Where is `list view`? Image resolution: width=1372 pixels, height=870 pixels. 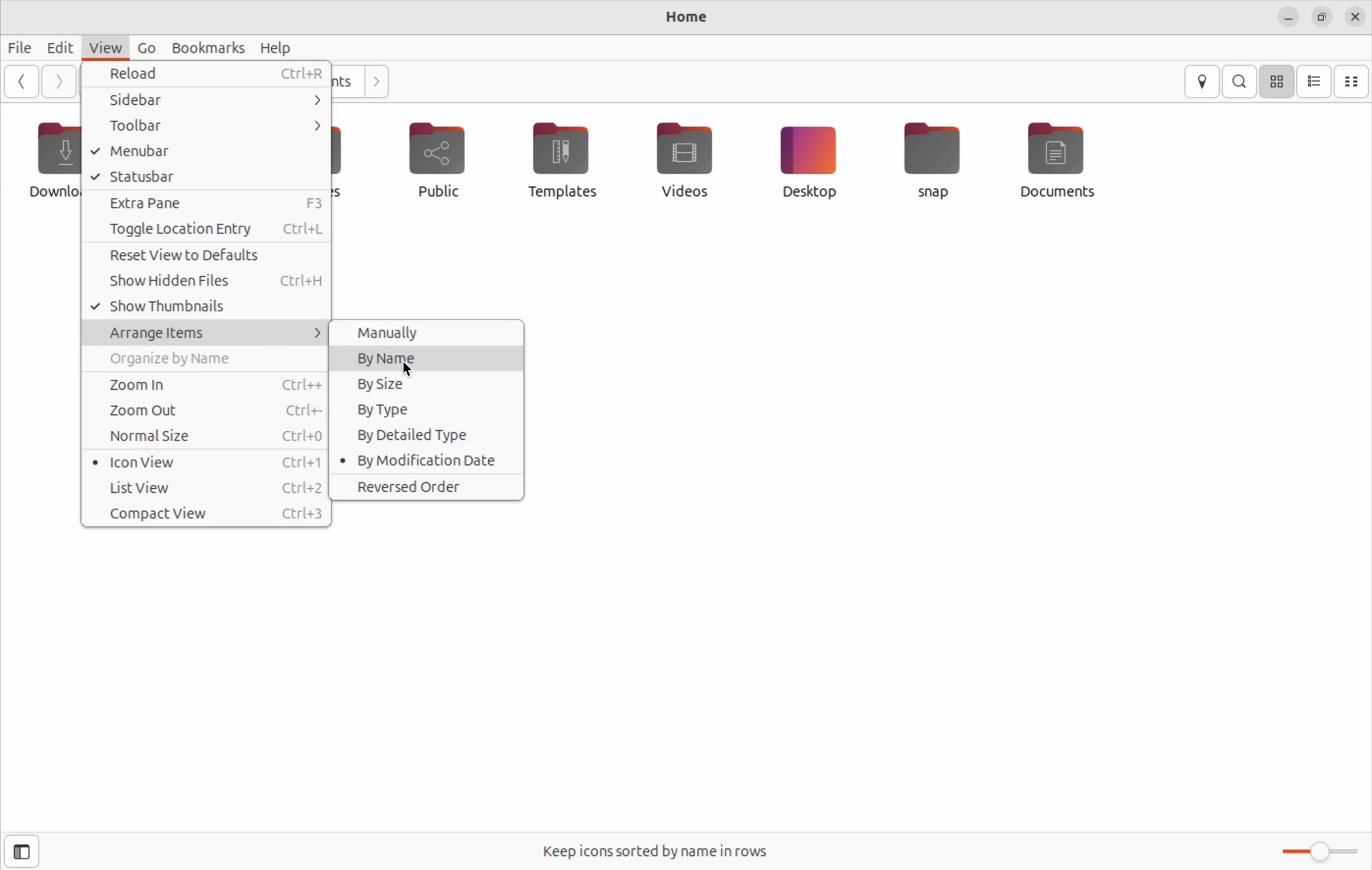 list view is located at coordinates (208, 487).